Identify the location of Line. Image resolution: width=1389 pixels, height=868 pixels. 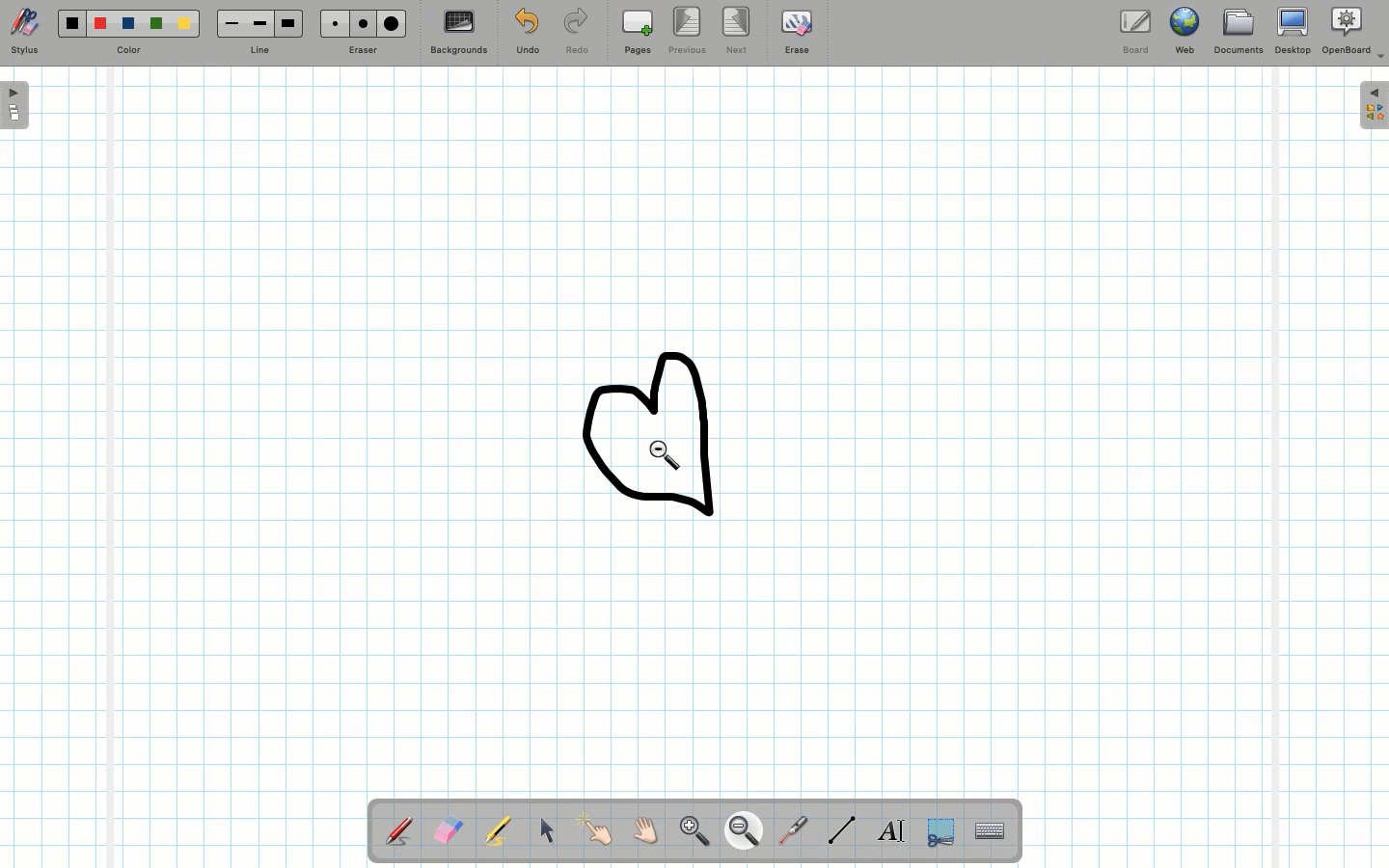
(259, 32).